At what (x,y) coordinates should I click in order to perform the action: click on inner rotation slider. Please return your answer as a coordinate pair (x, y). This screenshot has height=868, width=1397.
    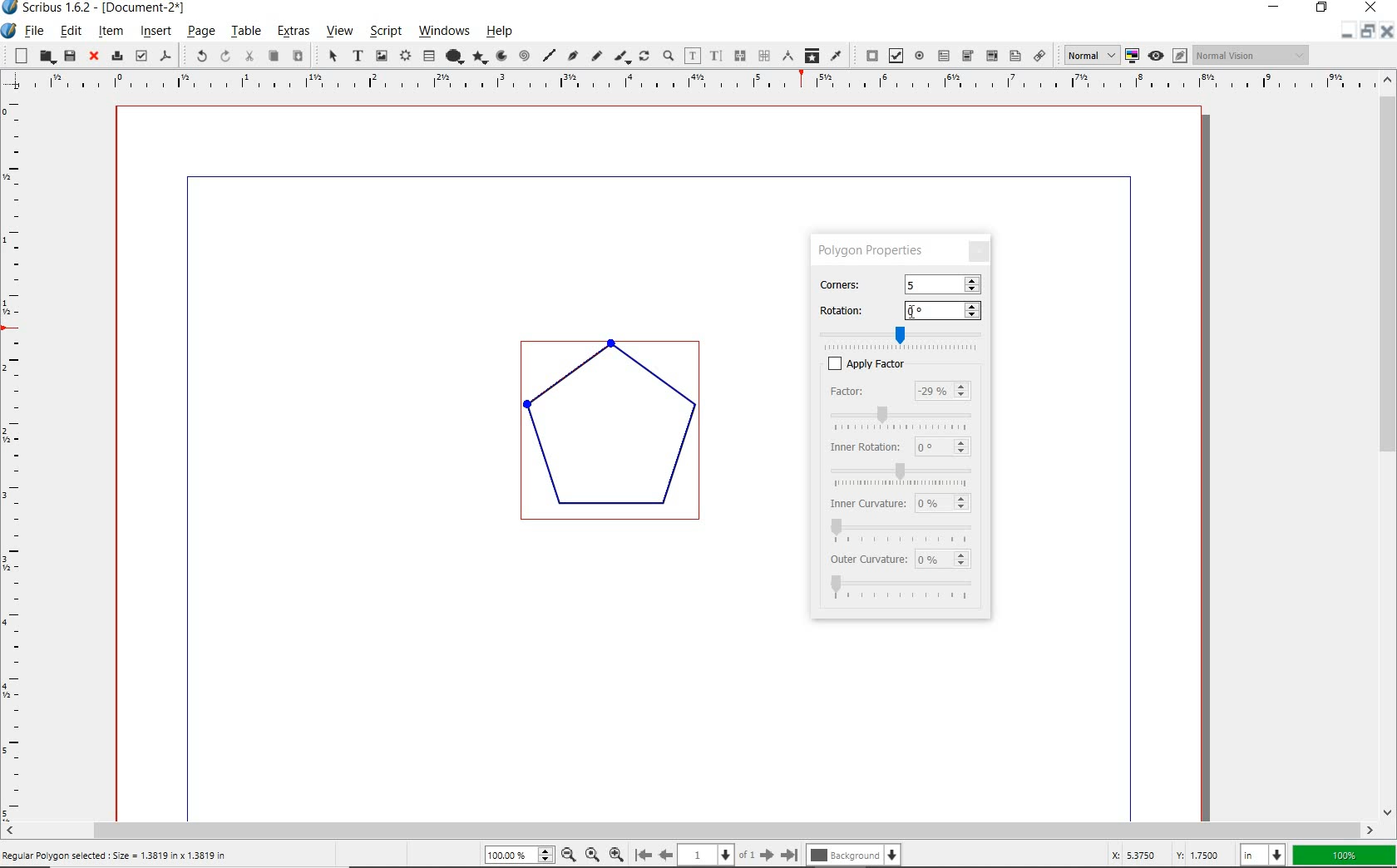
    Looking at the image, I should click on (902, 471).